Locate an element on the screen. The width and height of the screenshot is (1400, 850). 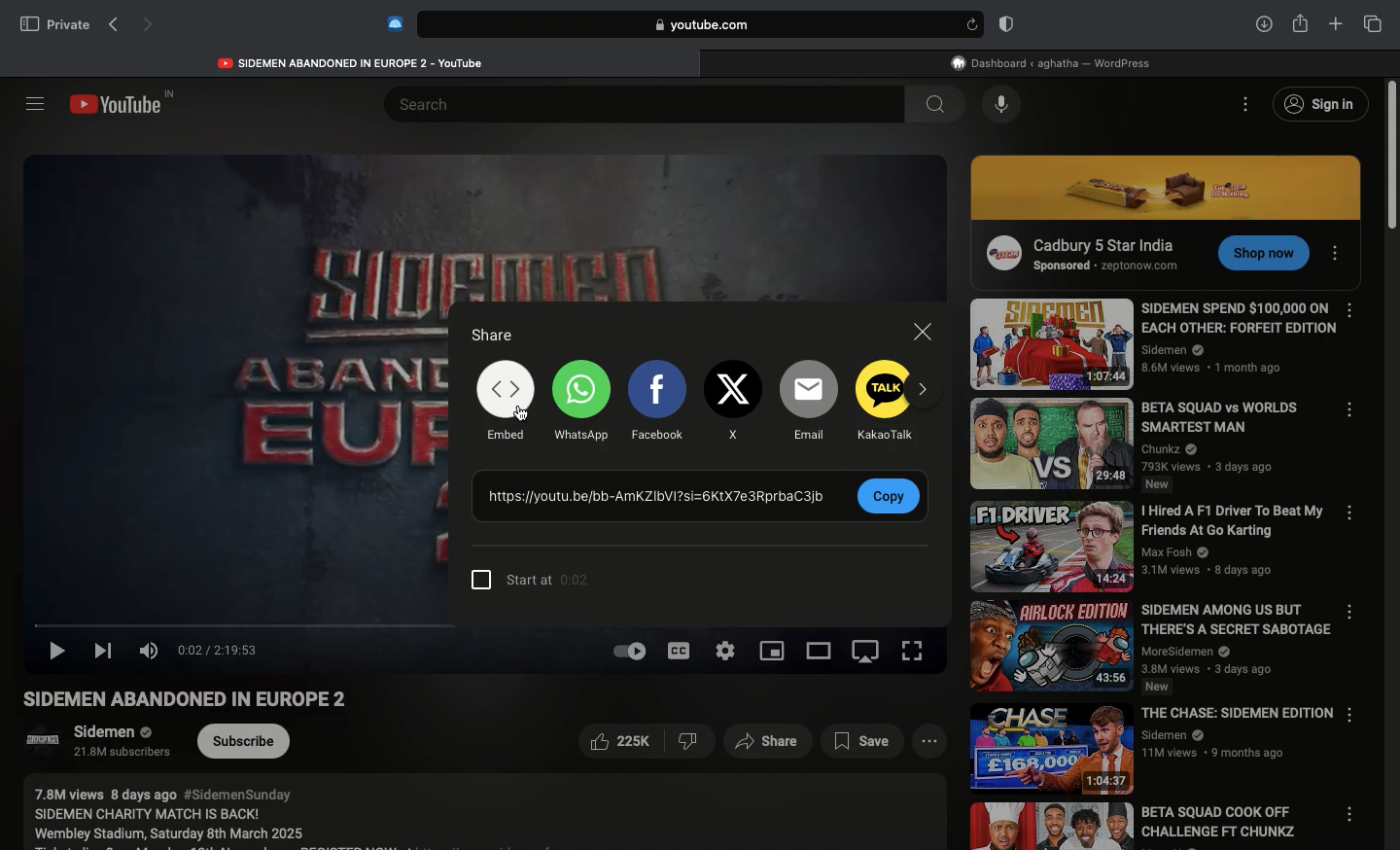
Link is located at coordinates (656, 494).